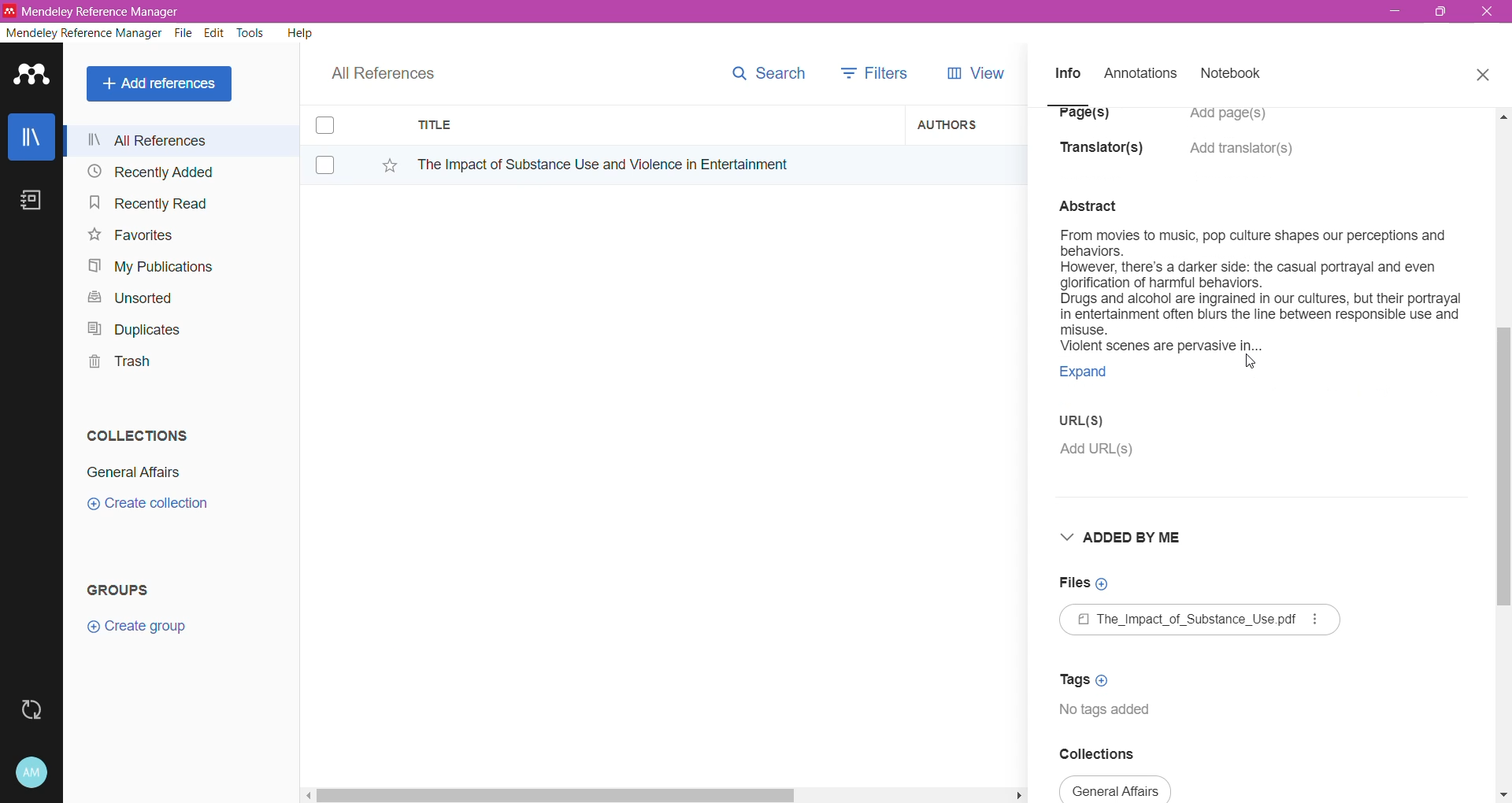 The width and height of the screenshot is (1512, 803). What do you see at coordinates (1243, 157) in the screenshot?
I see `Click to Add translators` at bounding box center [1243, 157].